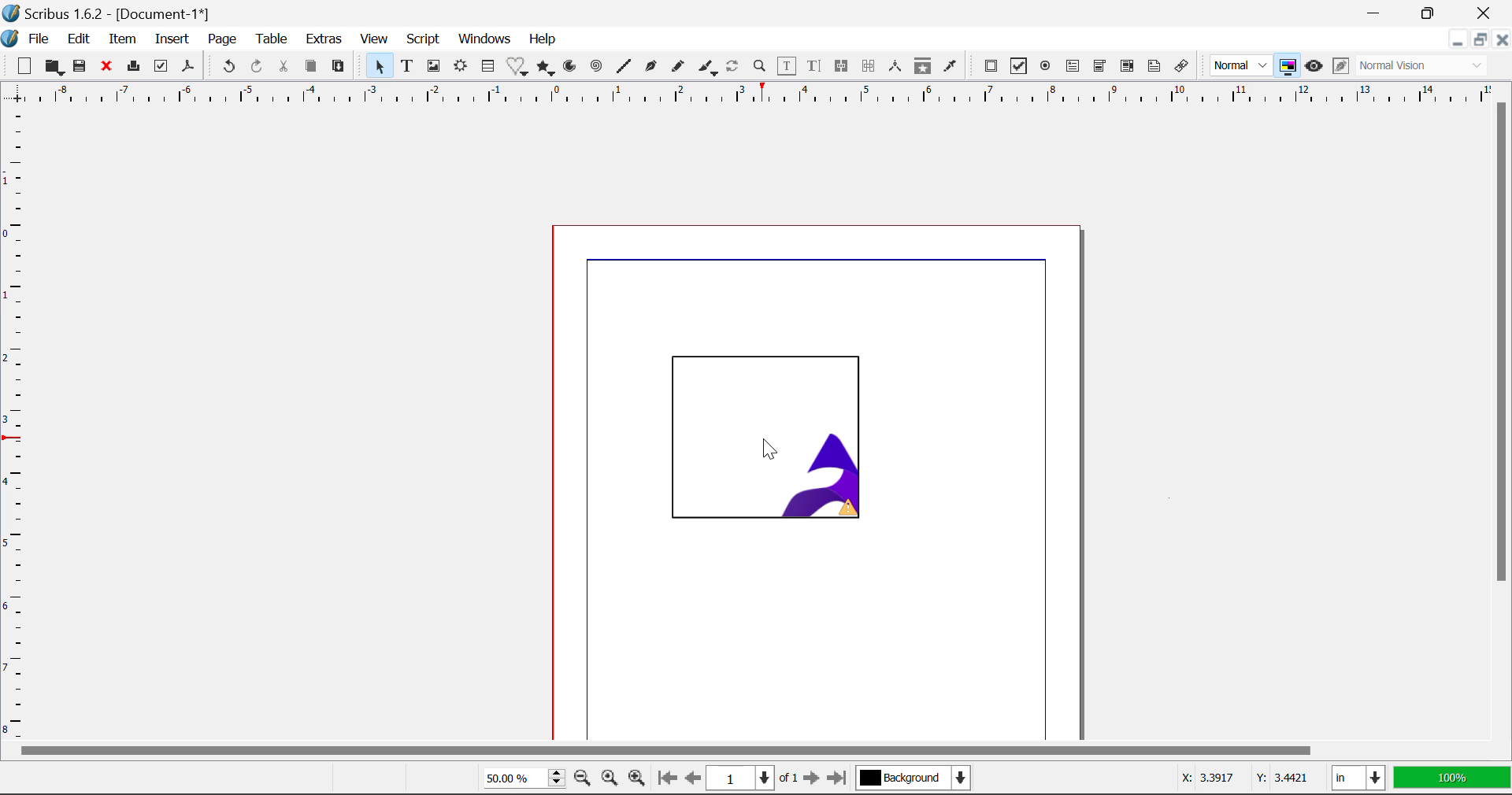 This screenshot has width=1512, height=795. I want to click on Restore Down, so click(1457, 39).